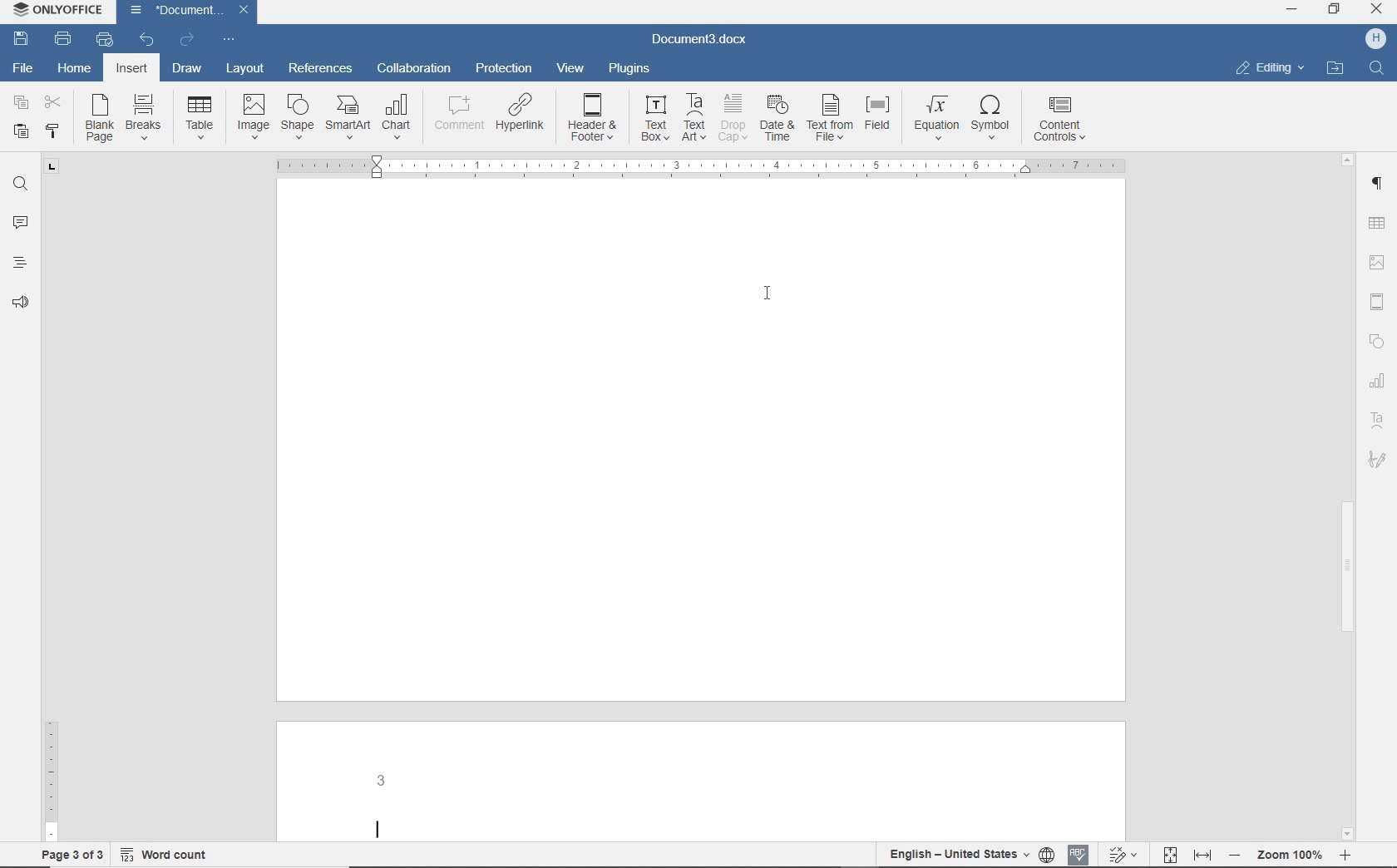  Describe the element at coordinates (56, 11) in the screenshot. I see `OnlyOffice` at that location.